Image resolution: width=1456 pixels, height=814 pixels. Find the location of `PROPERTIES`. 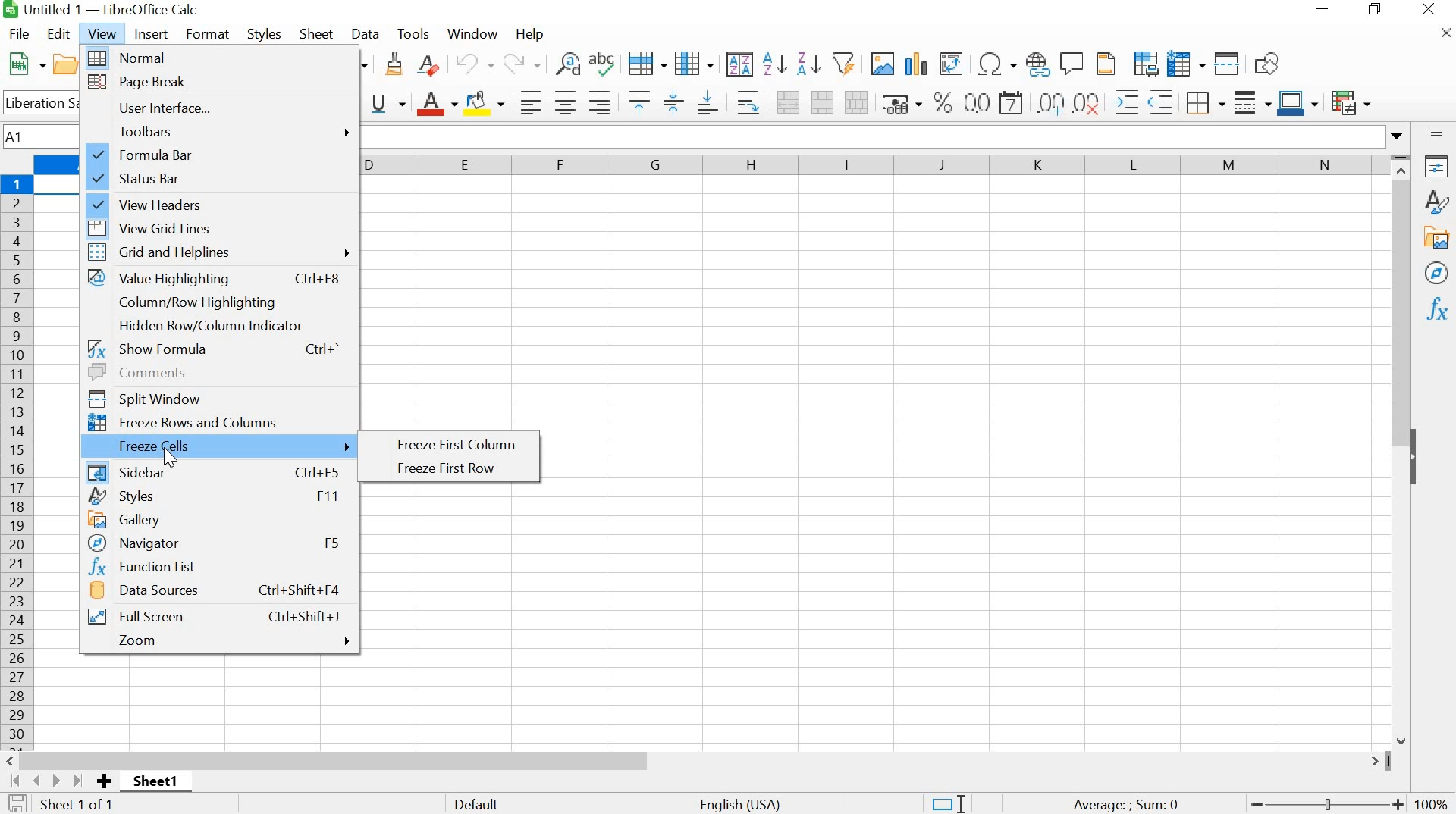

PROPERTIES is located at coordinates (1437, 166).